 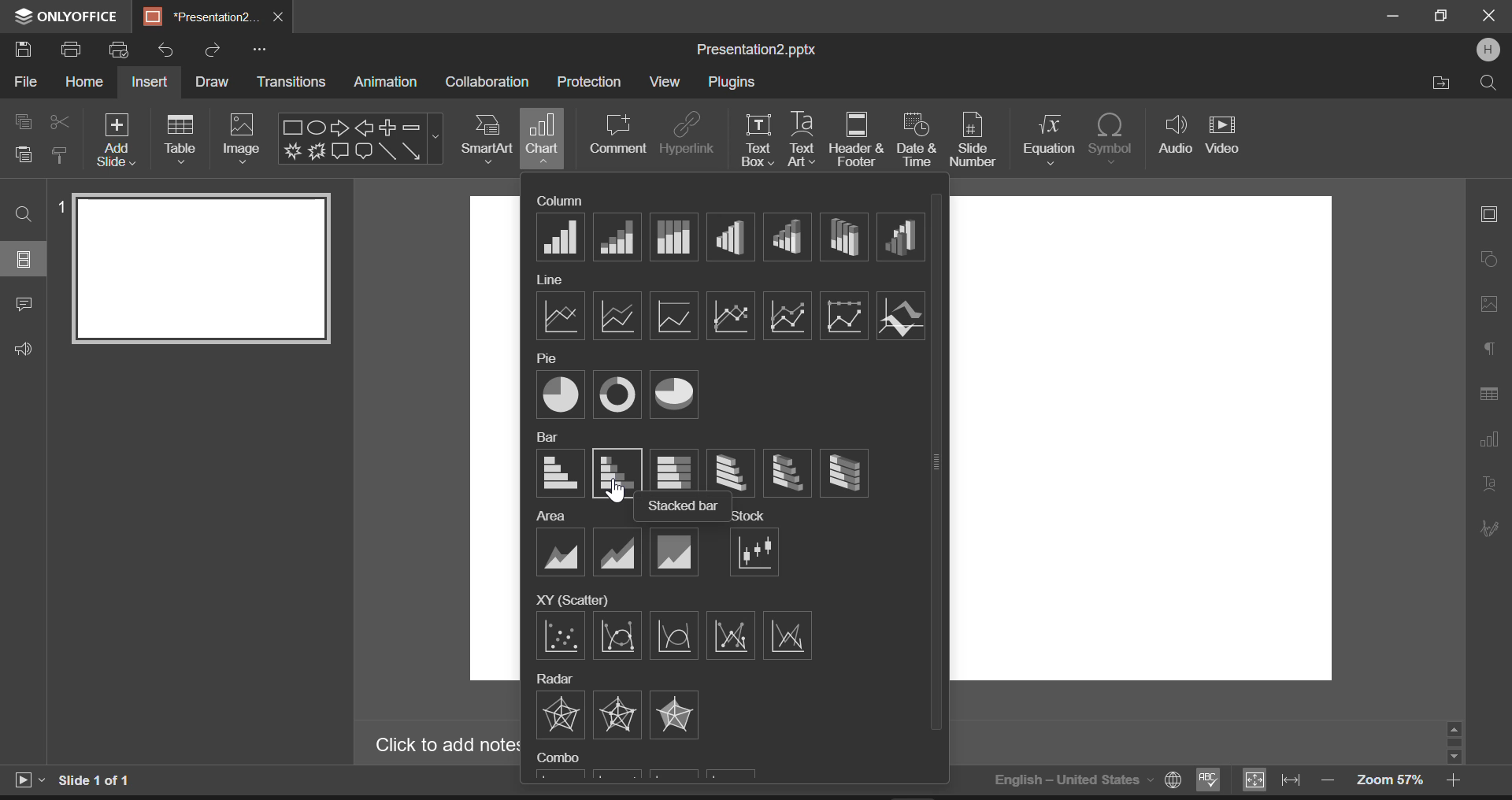 What do you see at coordinates (687, 135) in the screenshot?
I see `Hyperlink` at bounding box center [687, 135].